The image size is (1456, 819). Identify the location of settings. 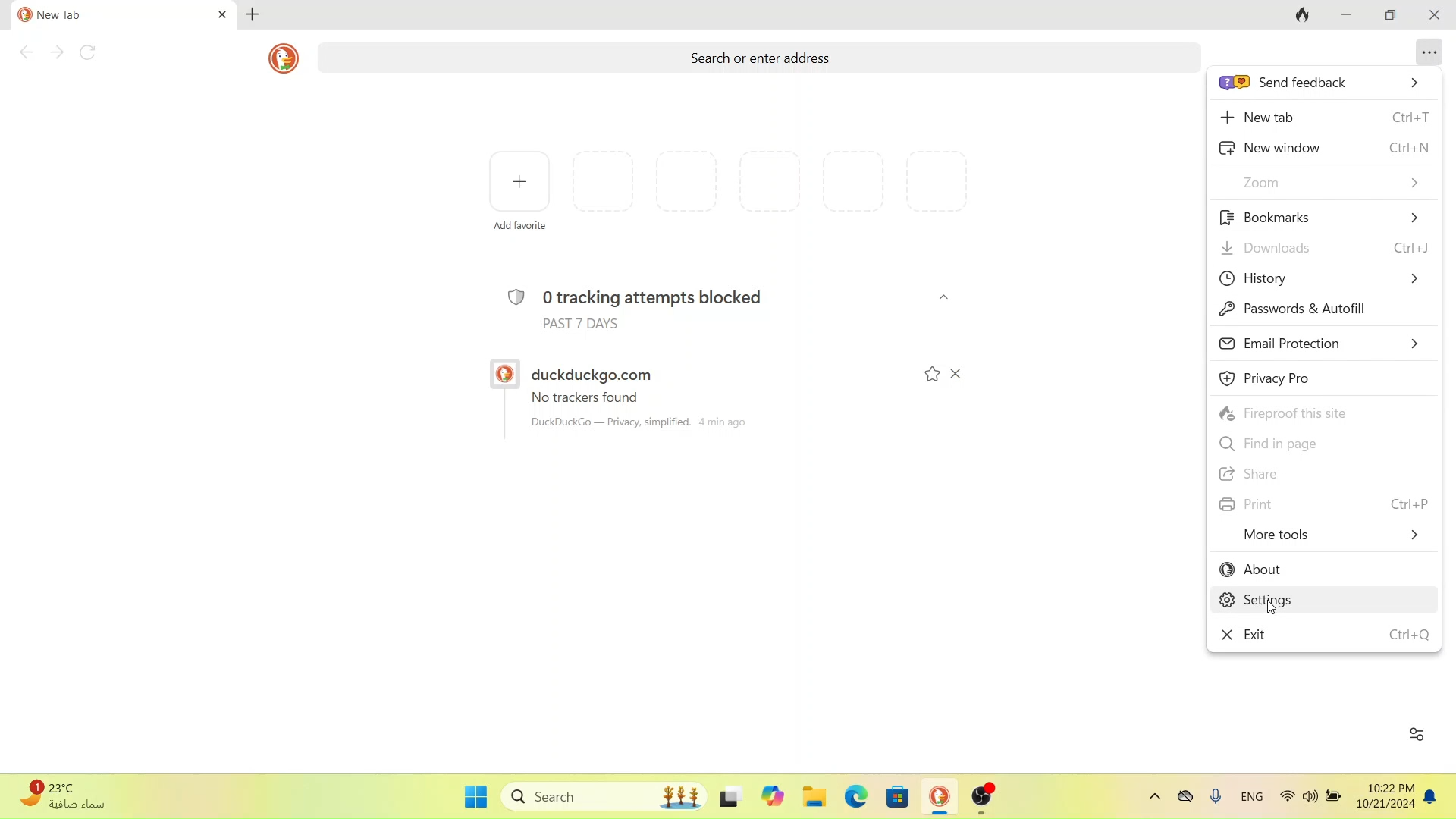
(1319, 601).